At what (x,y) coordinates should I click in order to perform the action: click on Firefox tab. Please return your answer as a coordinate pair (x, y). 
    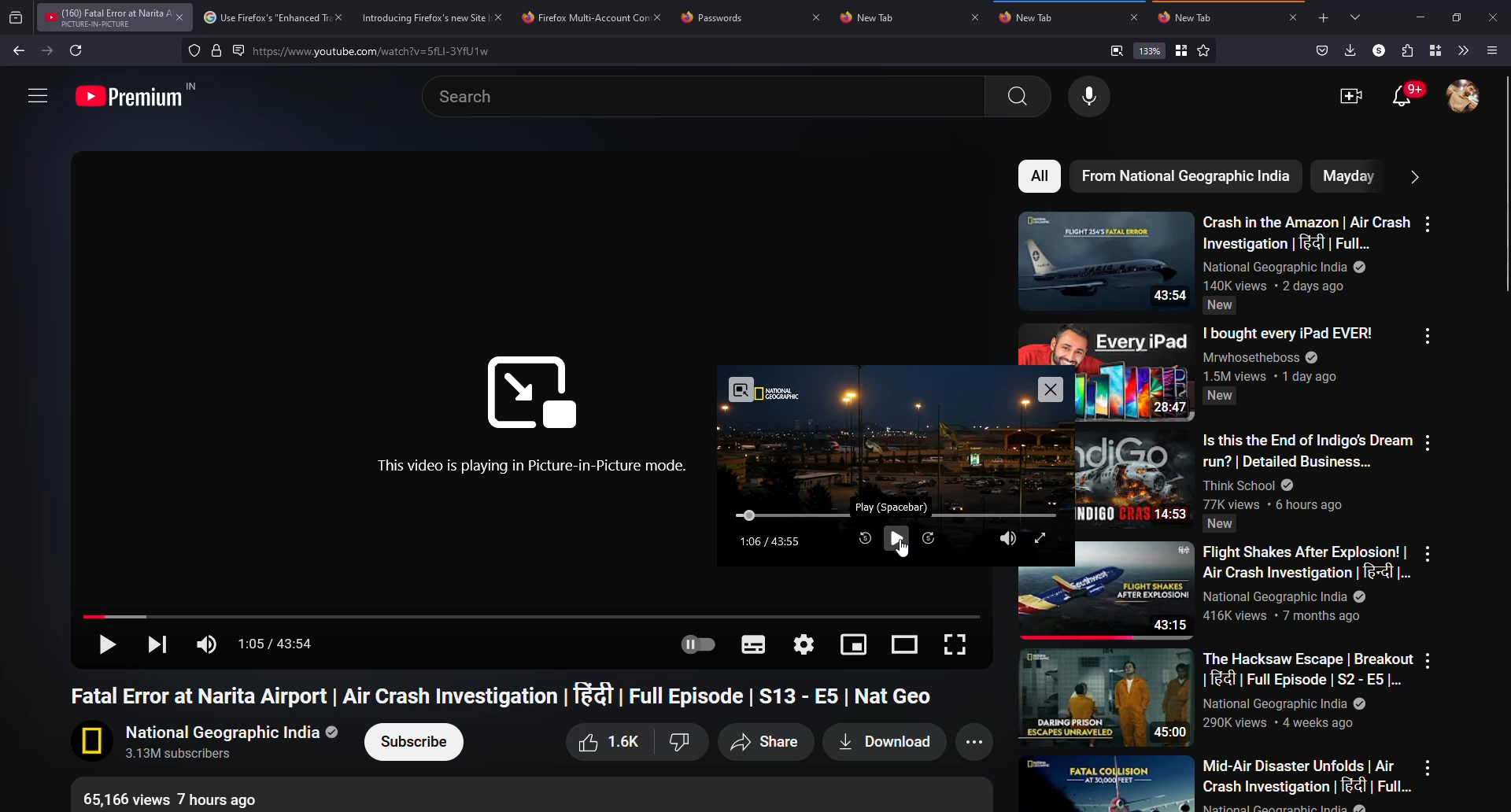
    Looking at the image, I should click on (582, 17).